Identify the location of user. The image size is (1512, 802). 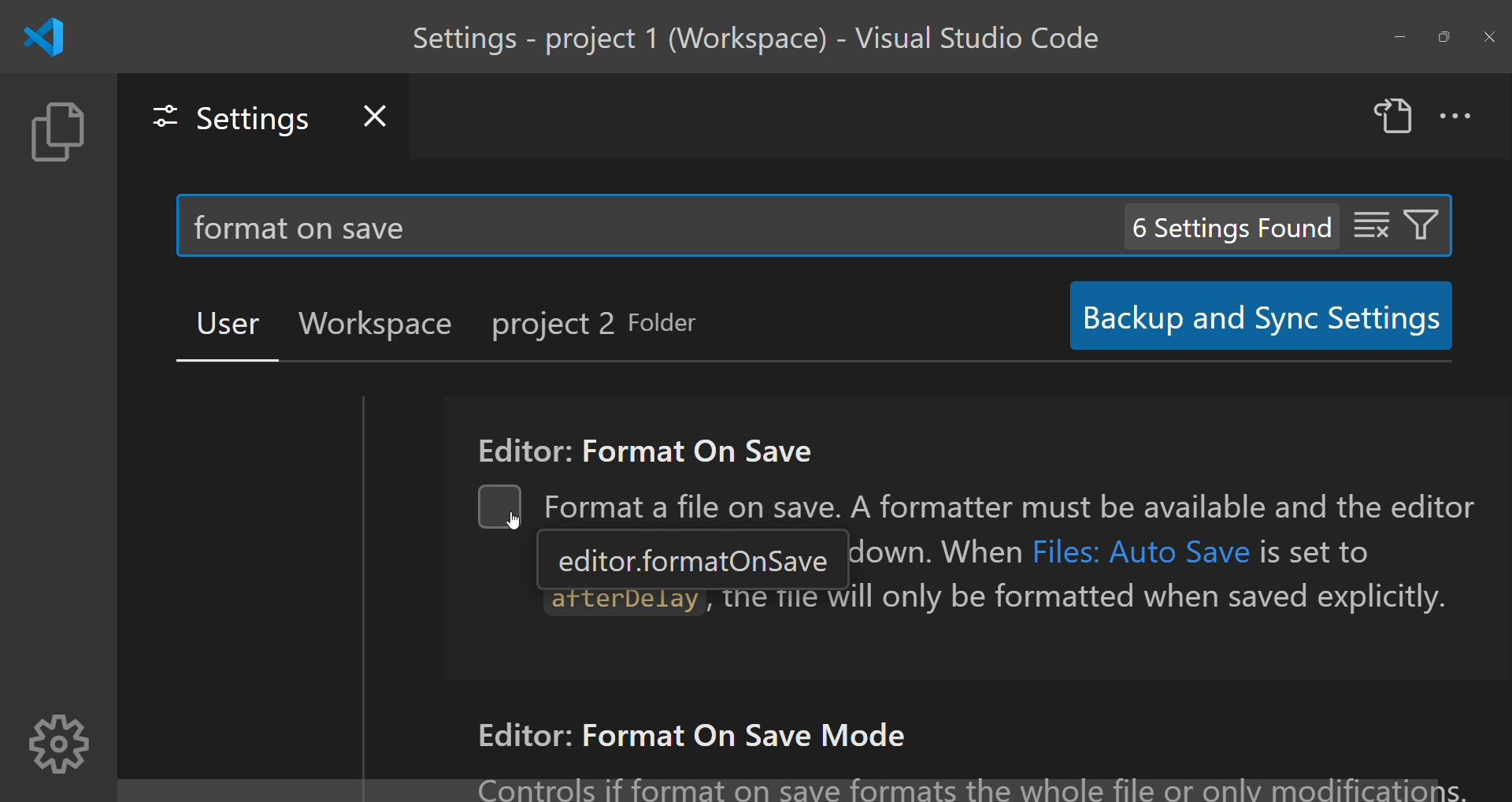
(221, 322).